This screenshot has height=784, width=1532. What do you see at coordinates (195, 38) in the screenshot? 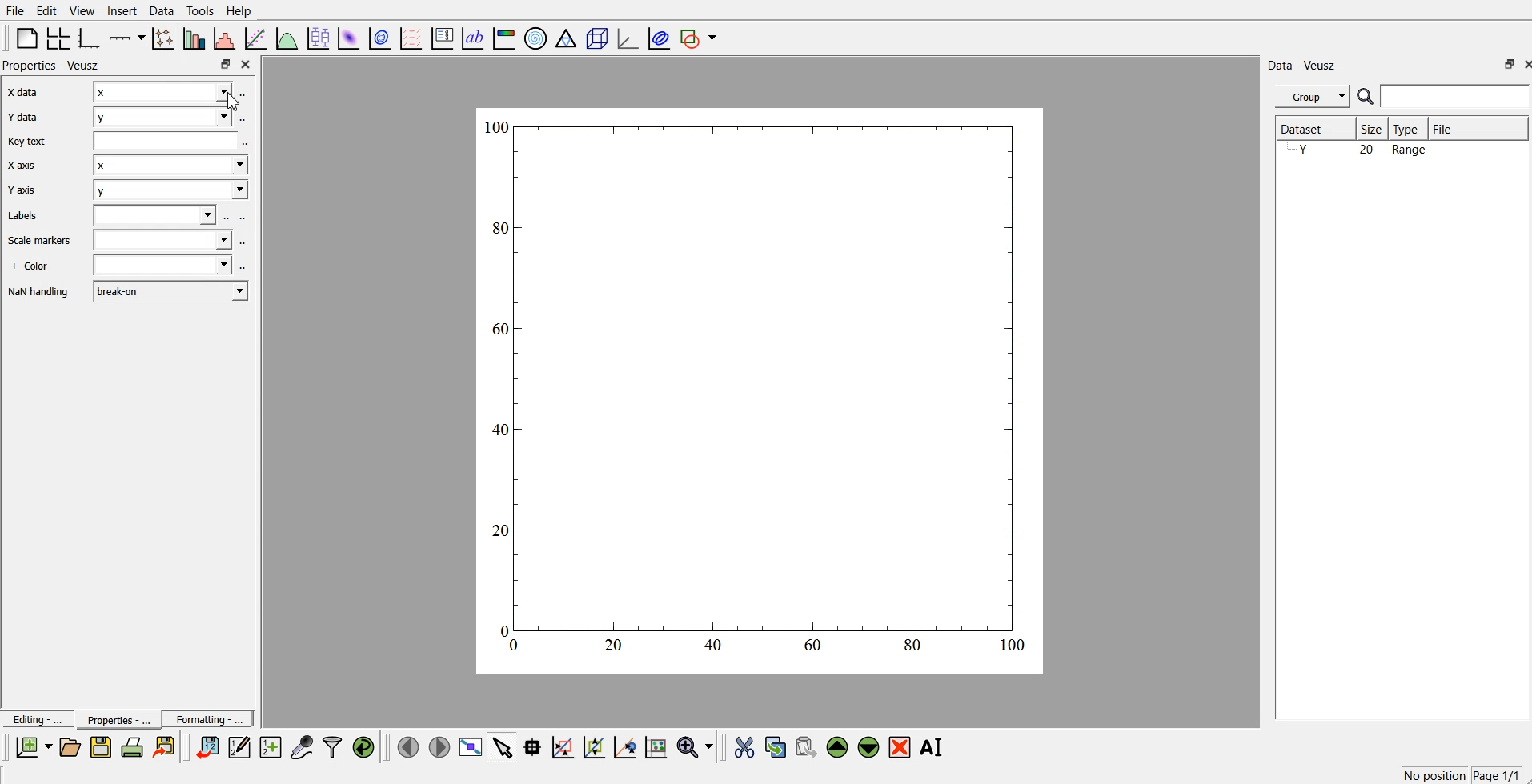
I see `plot bar graphs` at bounding box center [195, 38].